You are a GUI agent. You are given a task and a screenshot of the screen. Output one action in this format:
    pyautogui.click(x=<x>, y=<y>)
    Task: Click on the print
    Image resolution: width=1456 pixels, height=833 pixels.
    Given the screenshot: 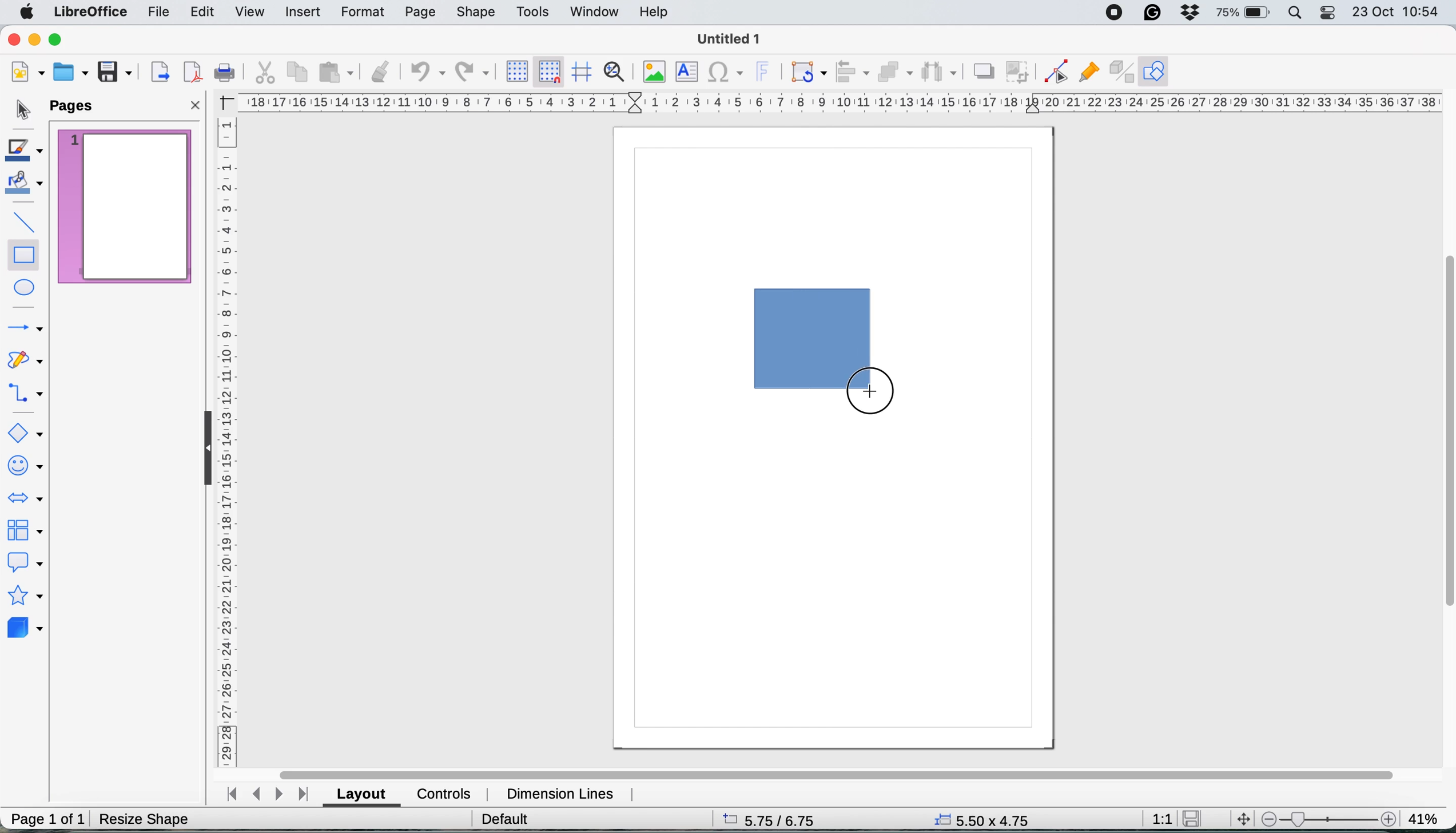 What is the action you would take?
    pyautogui.click(x=222, y=74)
    